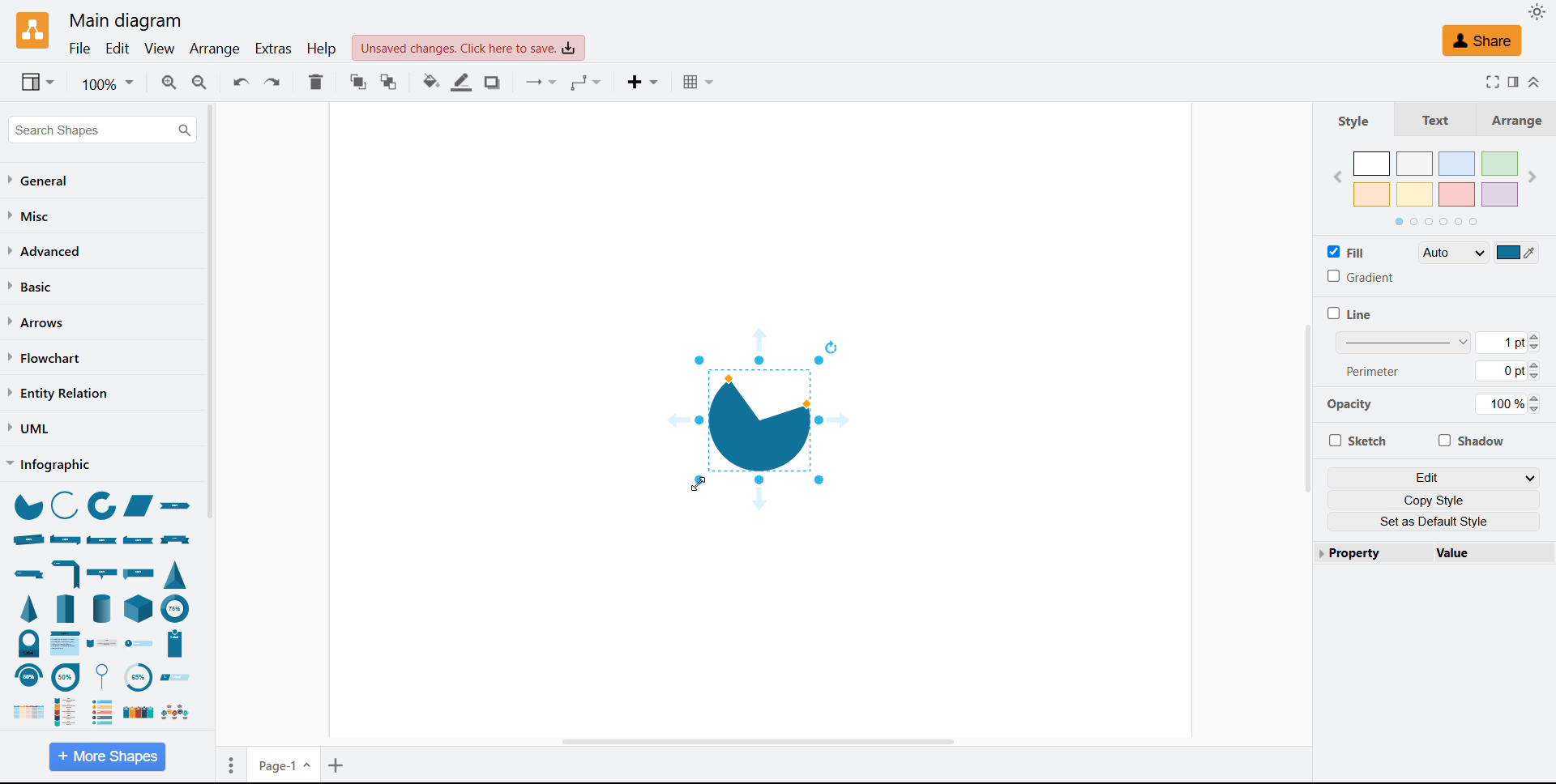  I want to click on Guide arrows , so click(758, 339).